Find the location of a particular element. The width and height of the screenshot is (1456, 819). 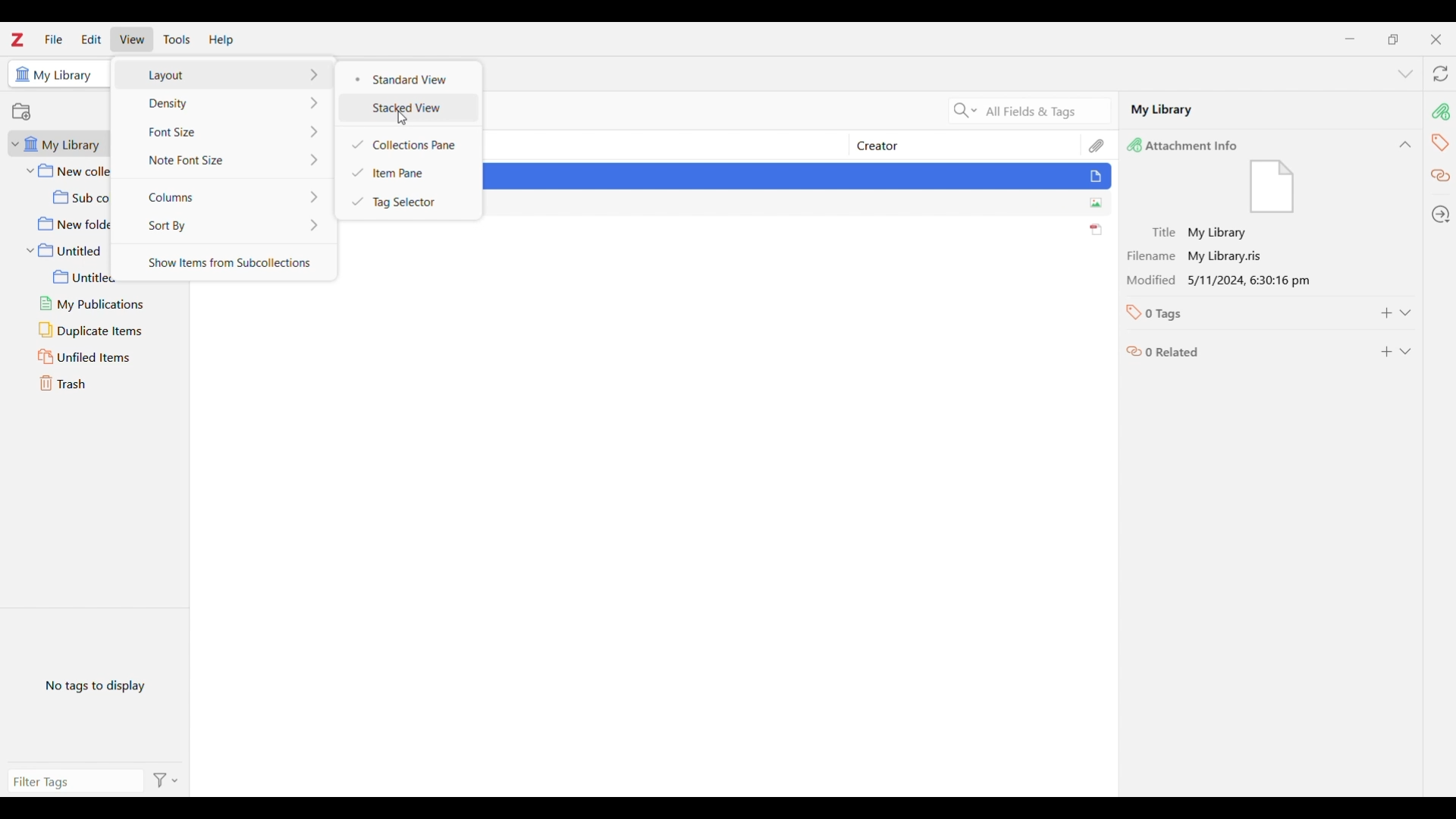

Trash folder is located at coordinates (96, 383).